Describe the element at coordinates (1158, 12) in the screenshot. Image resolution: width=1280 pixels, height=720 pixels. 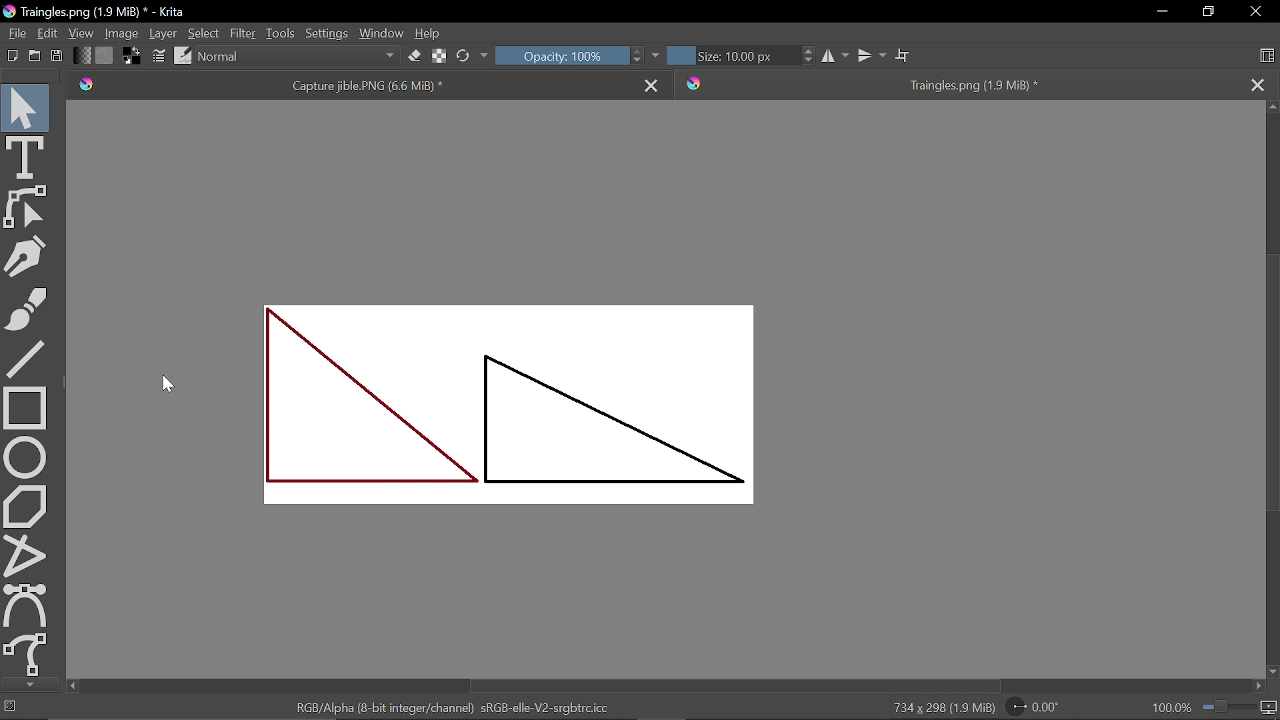
I see `Minimize` at that location.